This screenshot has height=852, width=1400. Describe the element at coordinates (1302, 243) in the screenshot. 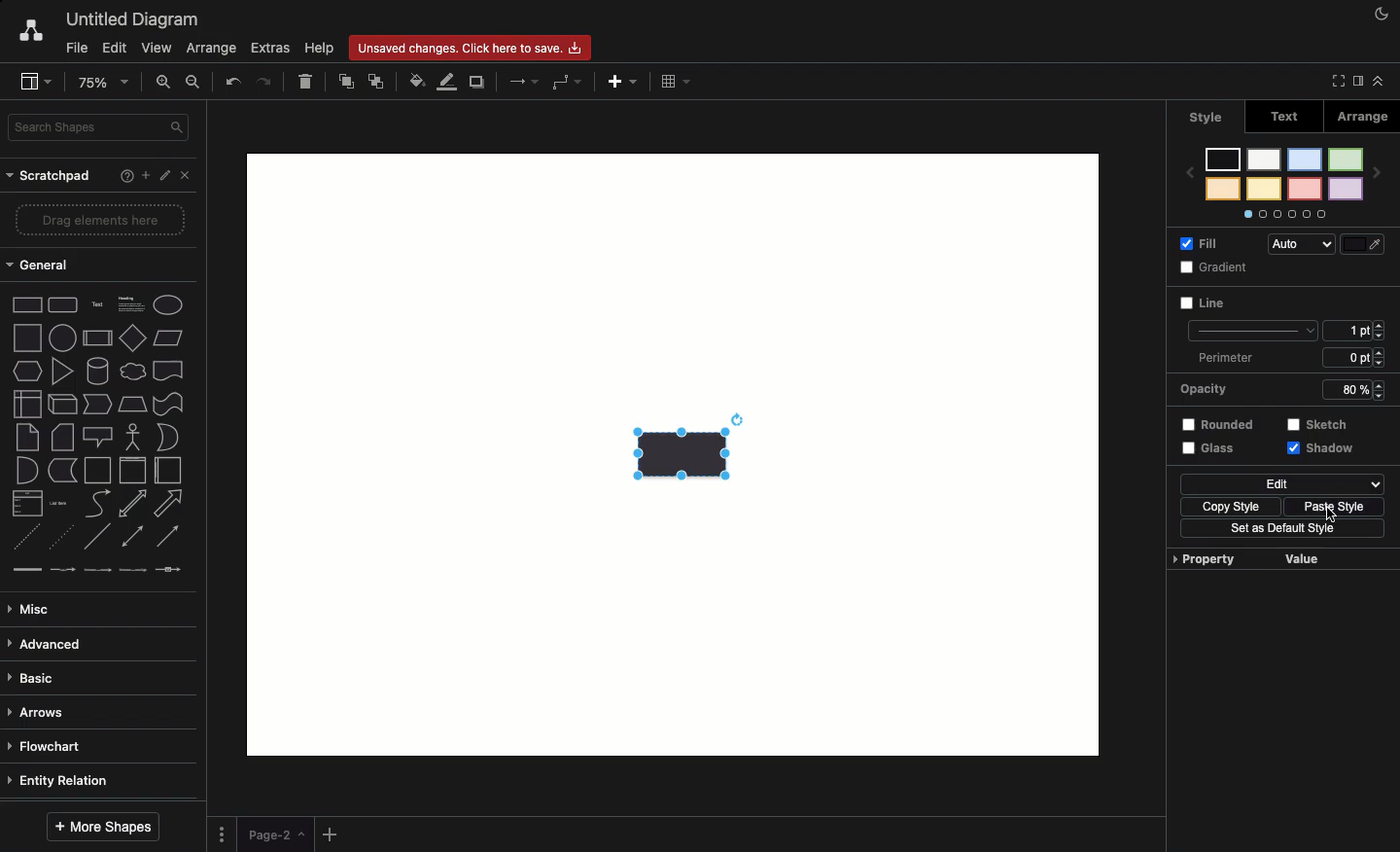

I see `Auto` at that location.